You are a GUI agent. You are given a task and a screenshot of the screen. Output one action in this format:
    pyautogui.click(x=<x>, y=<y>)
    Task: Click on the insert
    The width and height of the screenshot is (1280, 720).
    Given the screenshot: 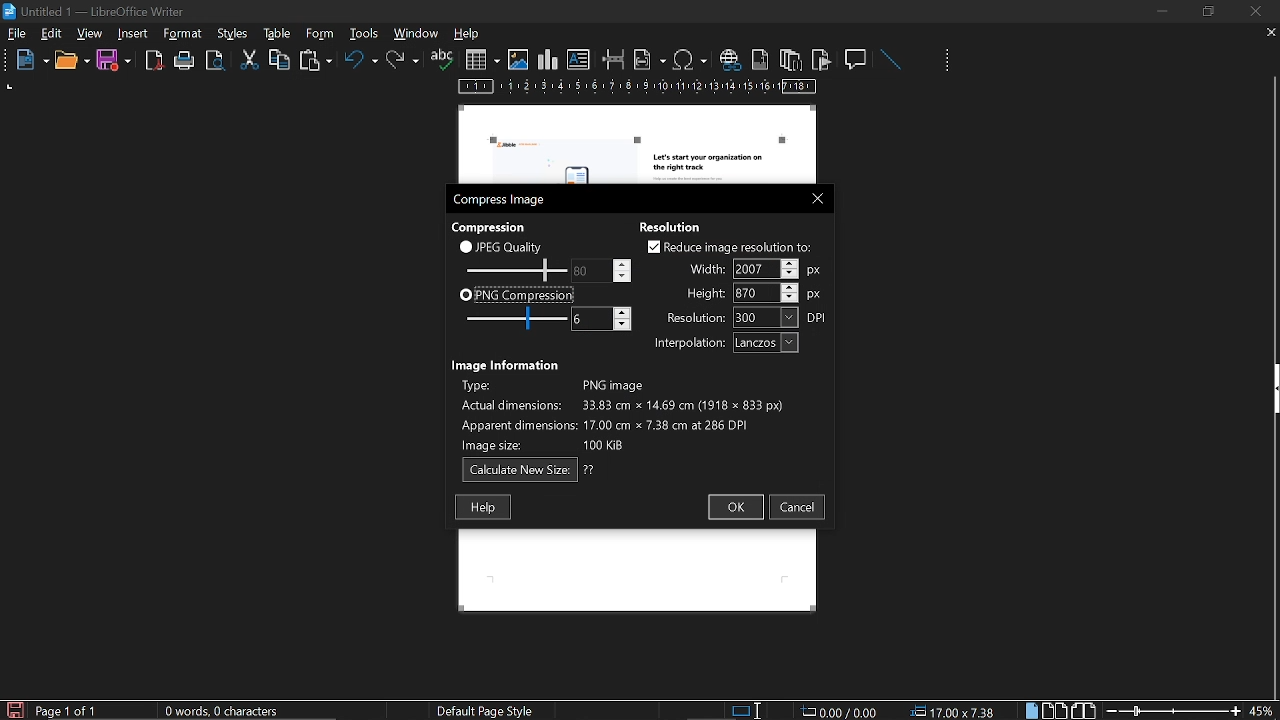 What is the action you would take?
    pyautogui.click(x=134, y=34)
    